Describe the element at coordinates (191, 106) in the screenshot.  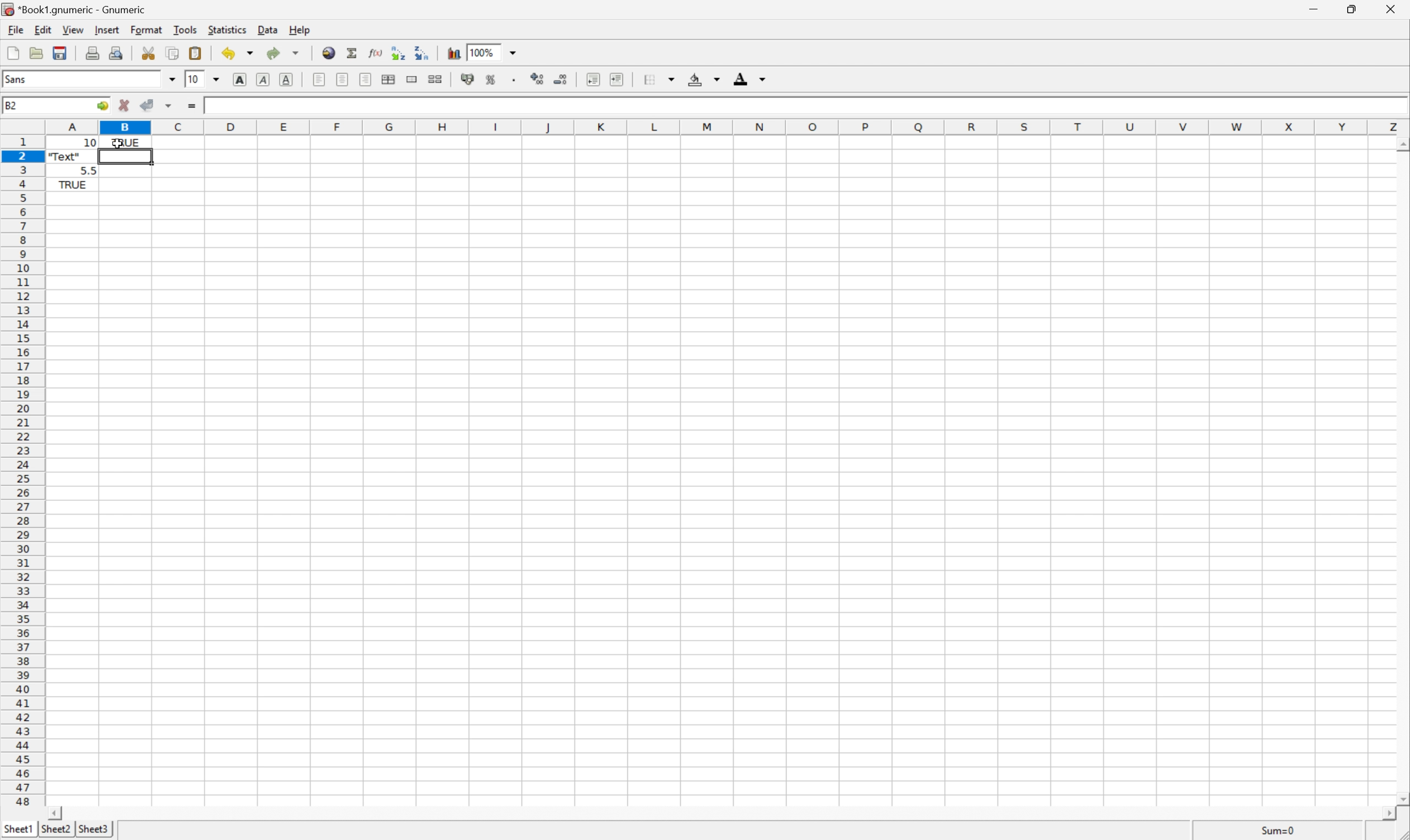
I see `Enter formula` at that location.